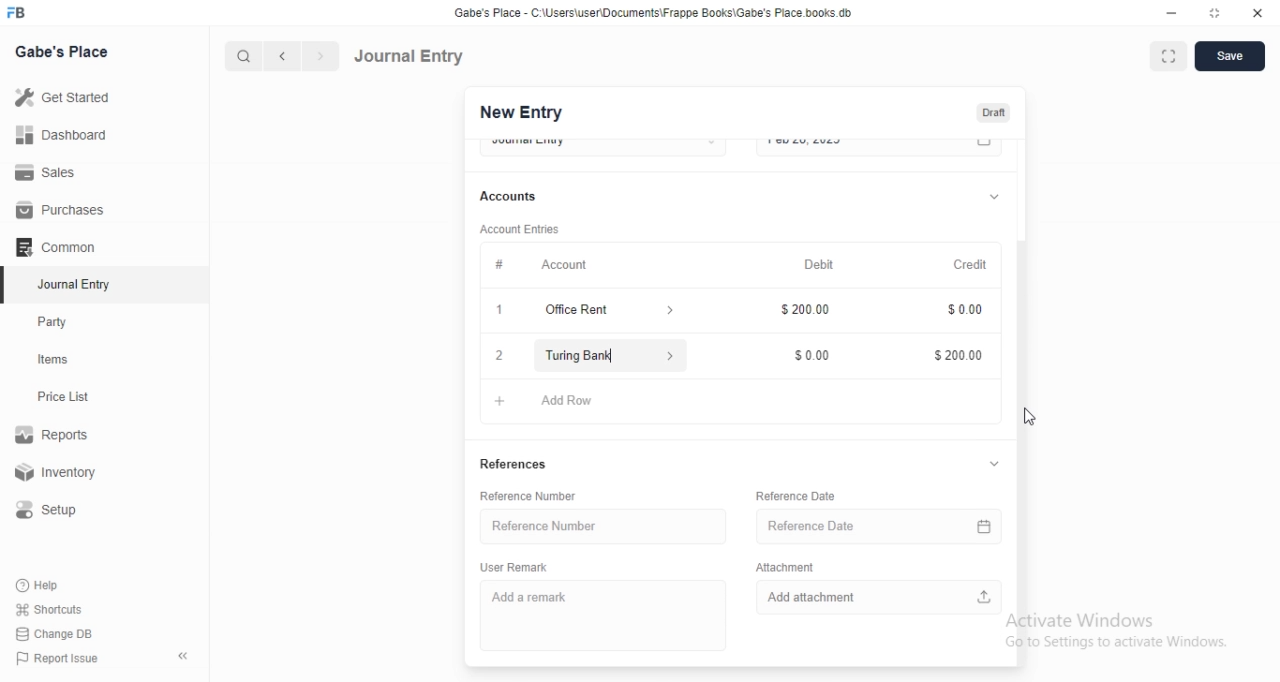 The width and height of the screenshot is (1280, 682). I want to click on Gabe's Place, so click(64, 51).